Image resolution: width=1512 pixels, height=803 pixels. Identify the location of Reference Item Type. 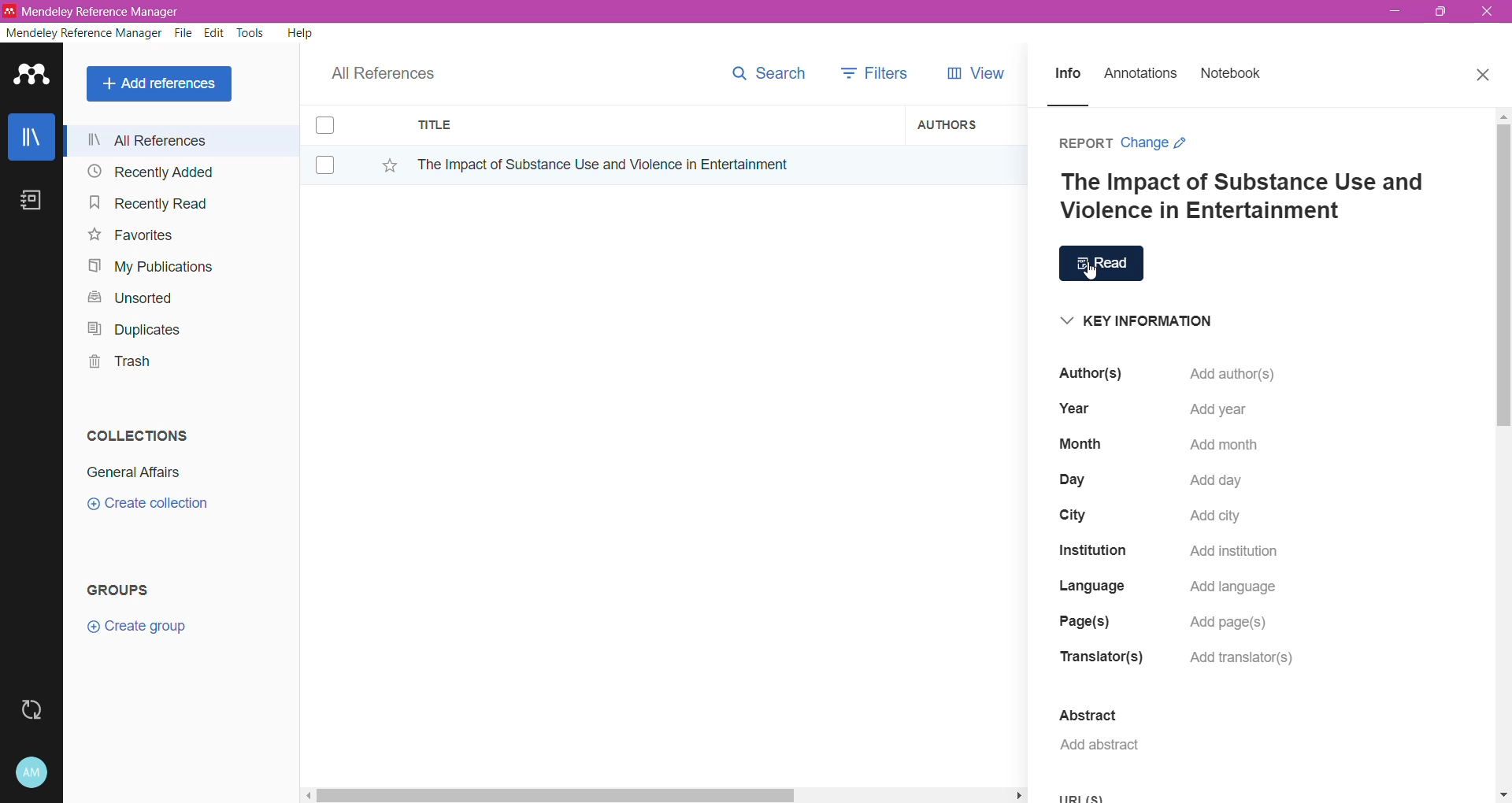
(1082, 141).